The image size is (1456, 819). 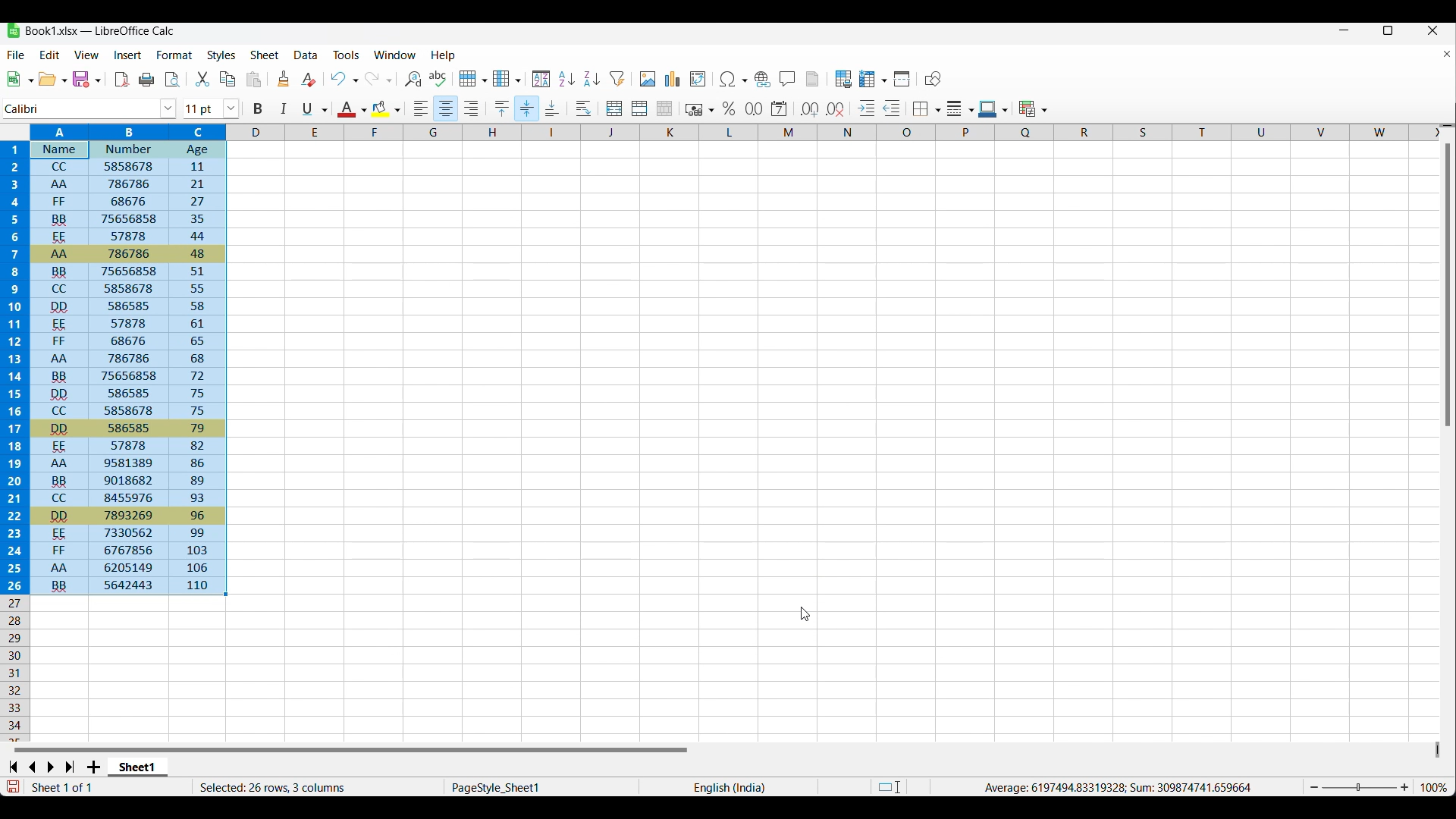 I want to click on Save options, so click(x=86, y=79).